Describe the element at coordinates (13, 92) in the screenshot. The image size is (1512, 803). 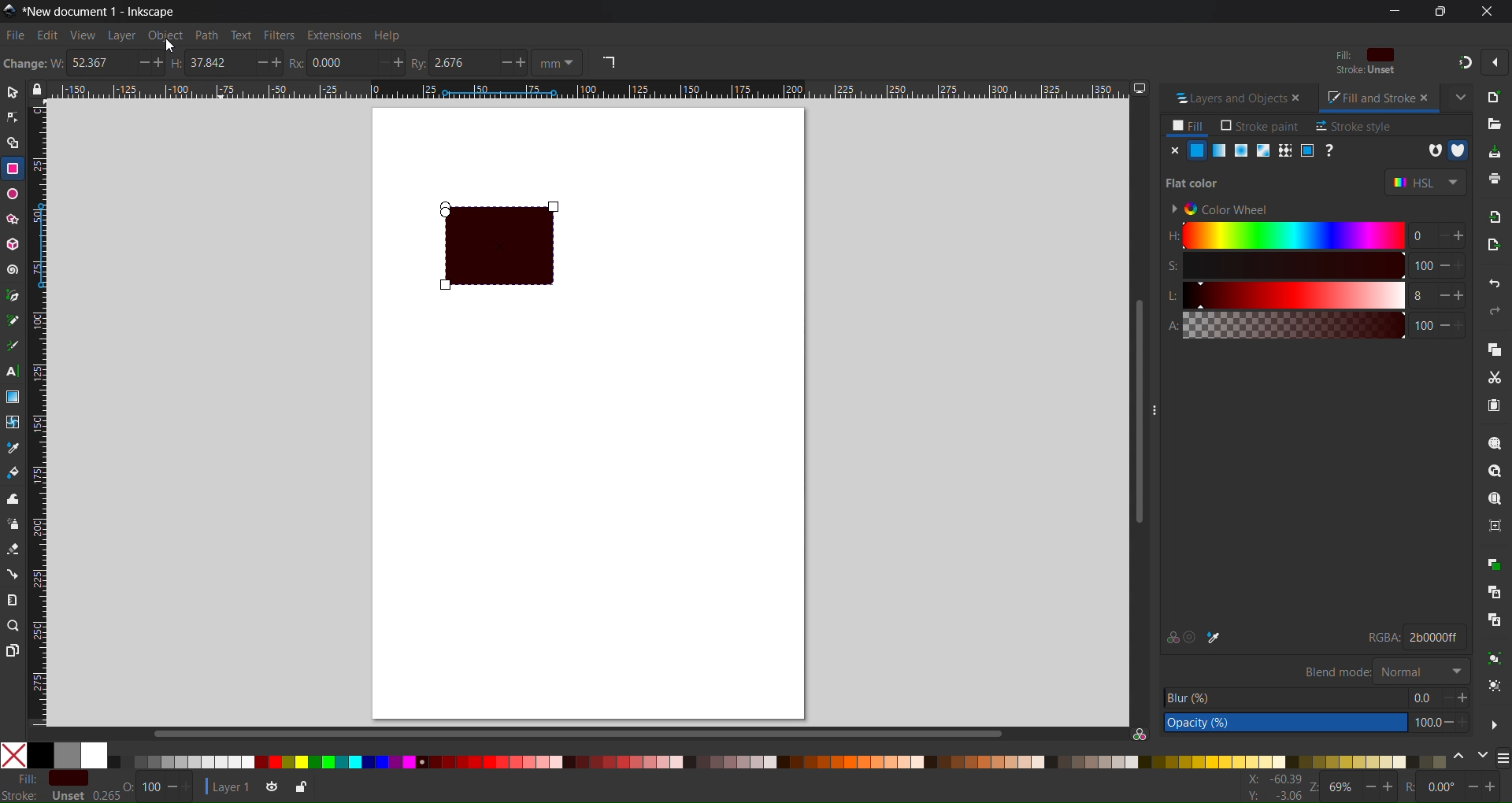
I see `Selector tool` at that location.